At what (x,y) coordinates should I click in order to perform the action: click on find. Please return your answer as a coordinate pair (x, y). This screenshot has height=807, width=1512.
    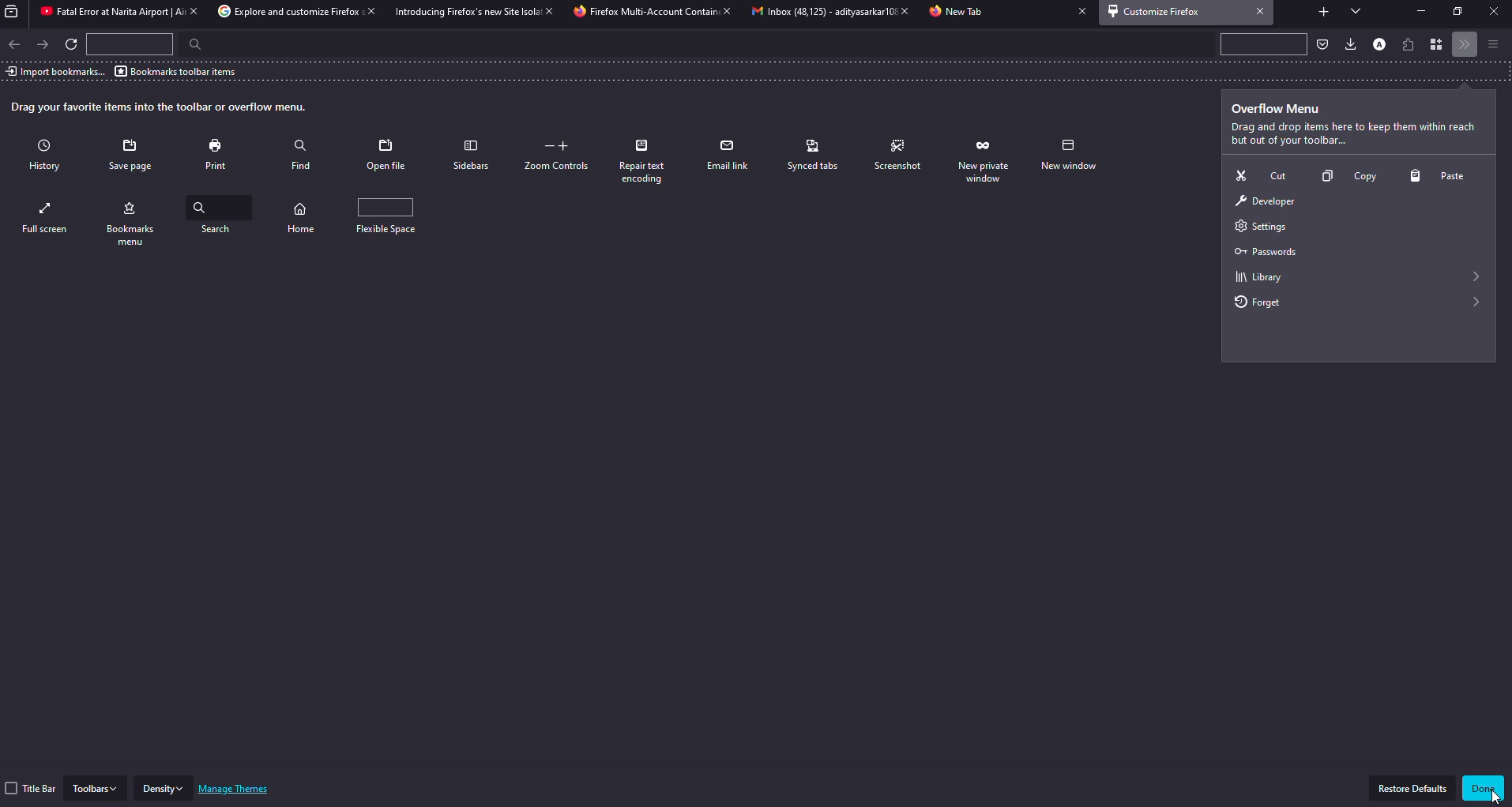
    Looking at the image, I should click on (301, 152).